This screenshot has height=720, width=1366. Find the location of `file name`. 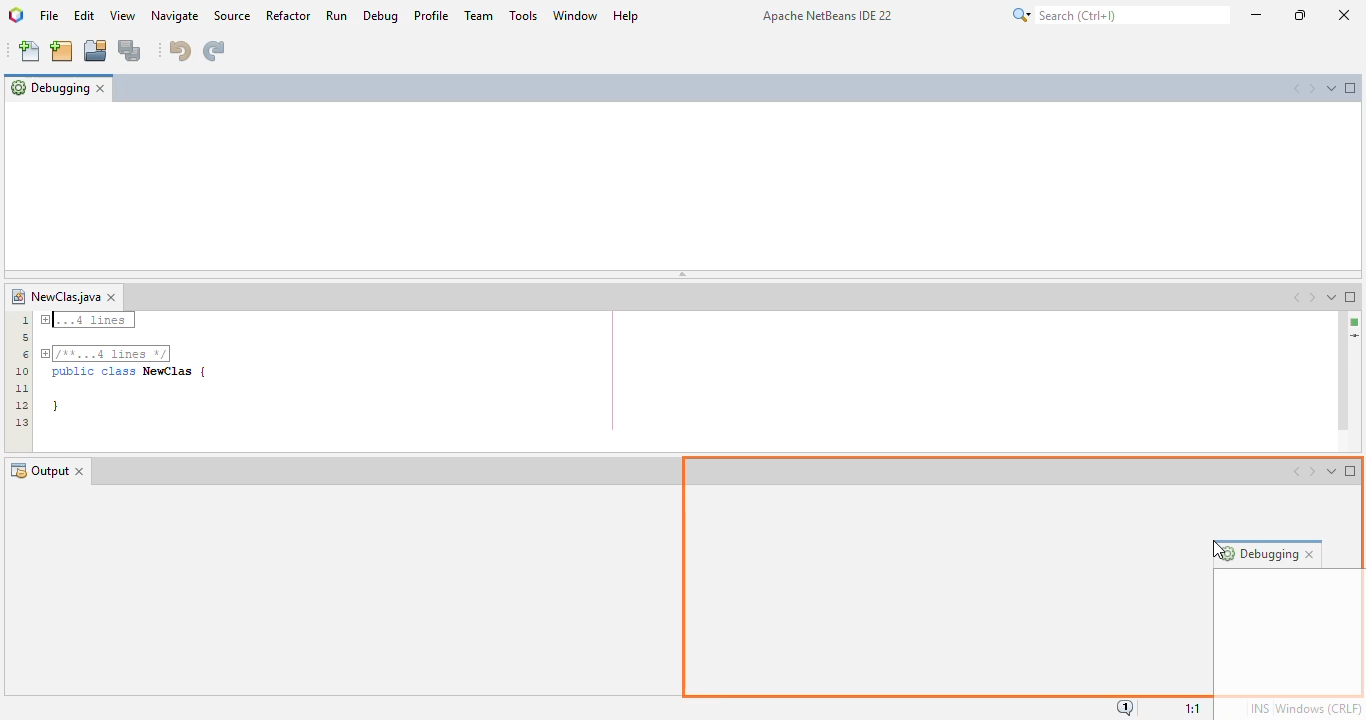

file name is located at coordinates (55, 297).